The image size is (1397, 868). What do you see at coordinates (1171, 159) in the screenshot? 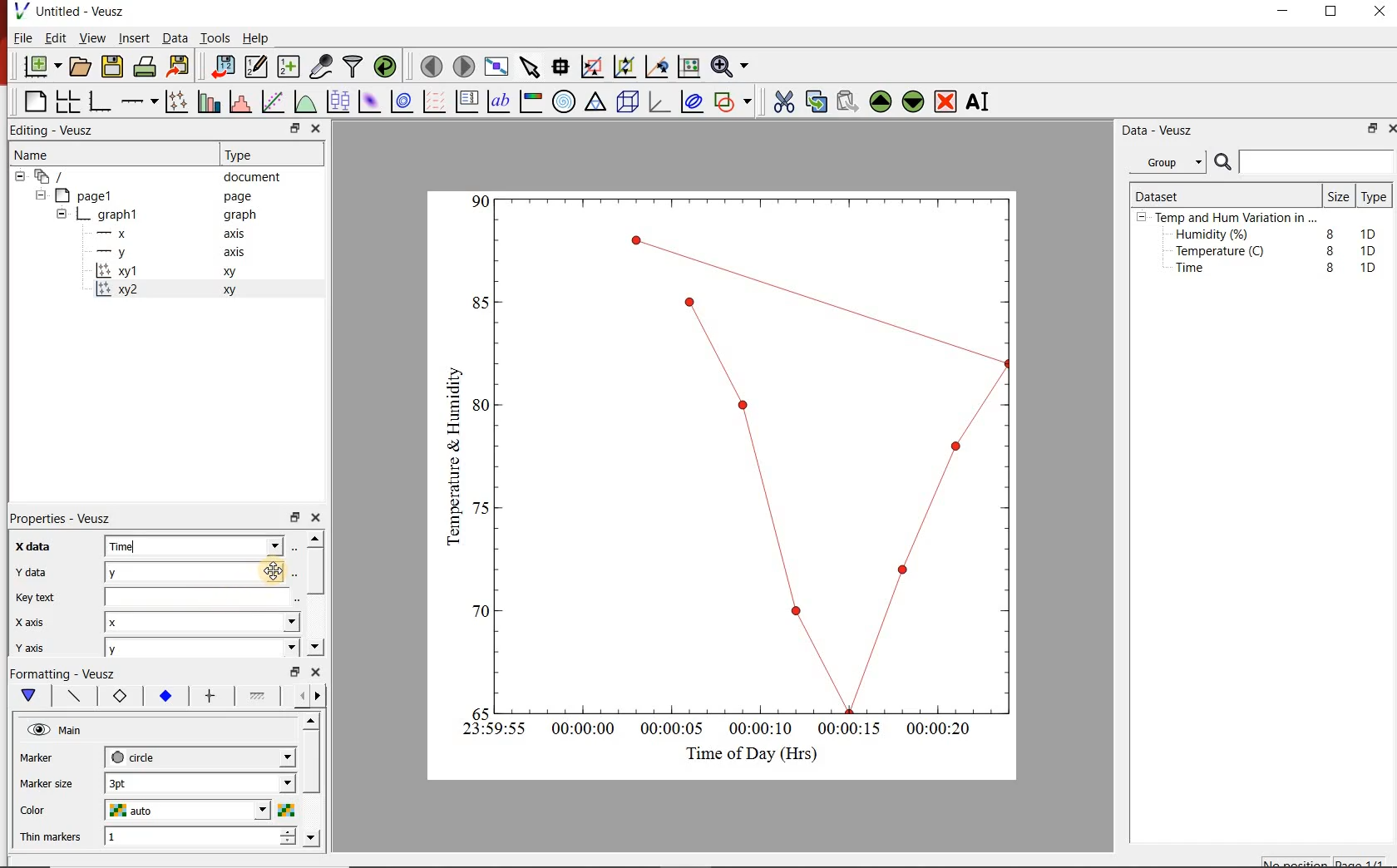
I see `Group.` at bounding box center [1171, 159].